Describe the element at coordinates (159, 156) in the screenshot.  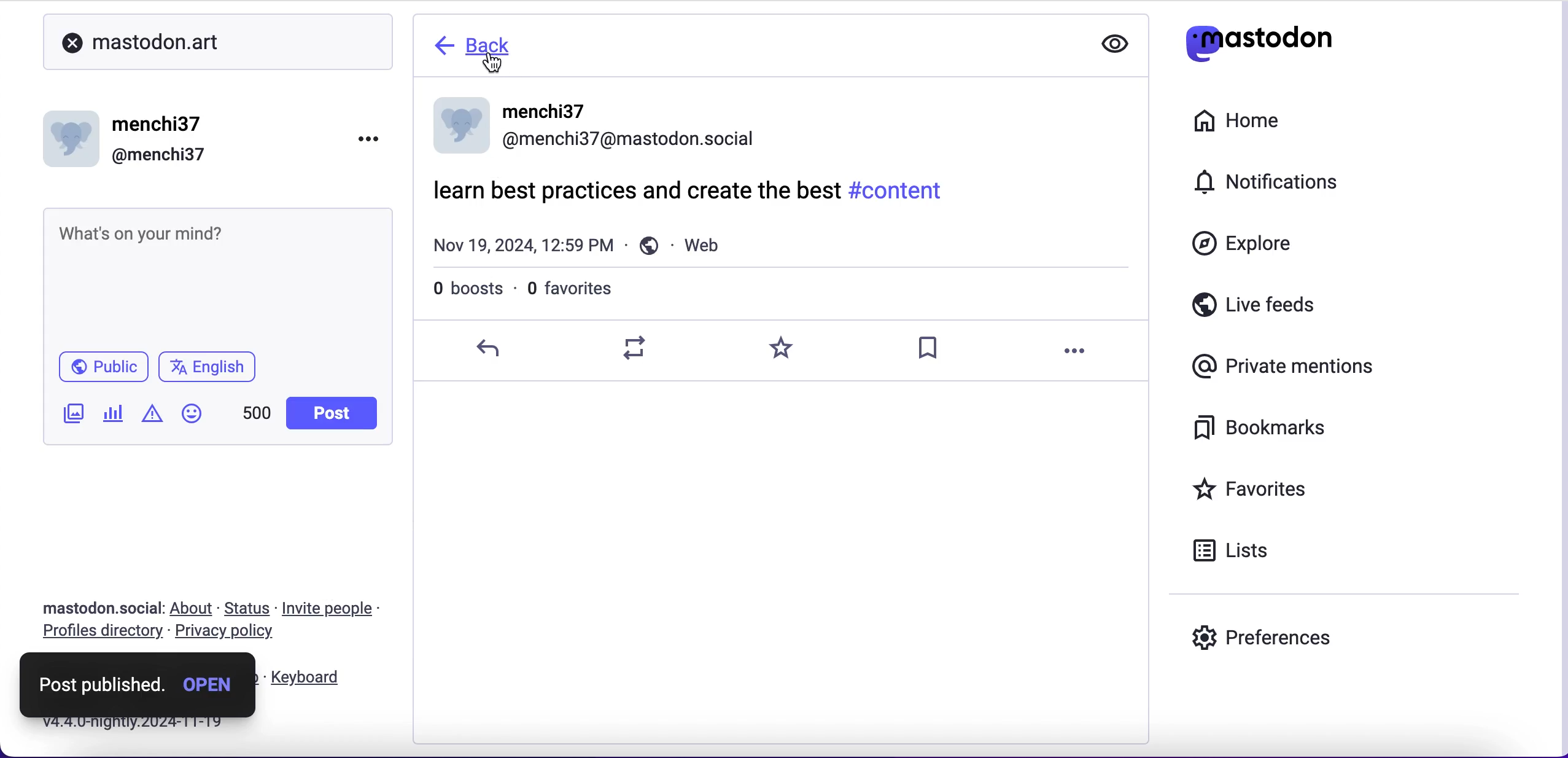
I see `@menchi37` at that location.